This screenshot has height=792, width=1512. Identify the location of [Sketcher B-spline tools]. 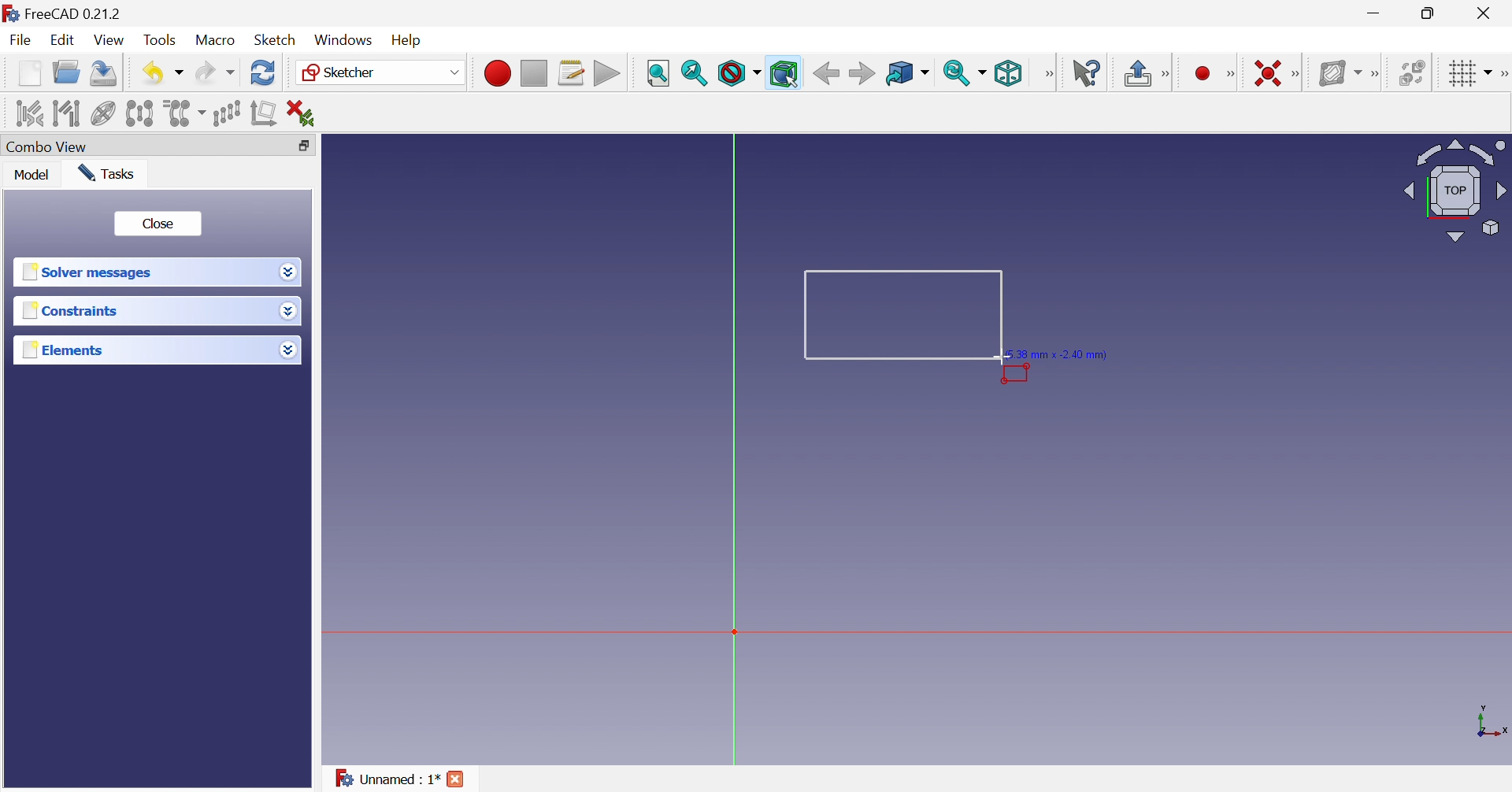
(1377, 76).